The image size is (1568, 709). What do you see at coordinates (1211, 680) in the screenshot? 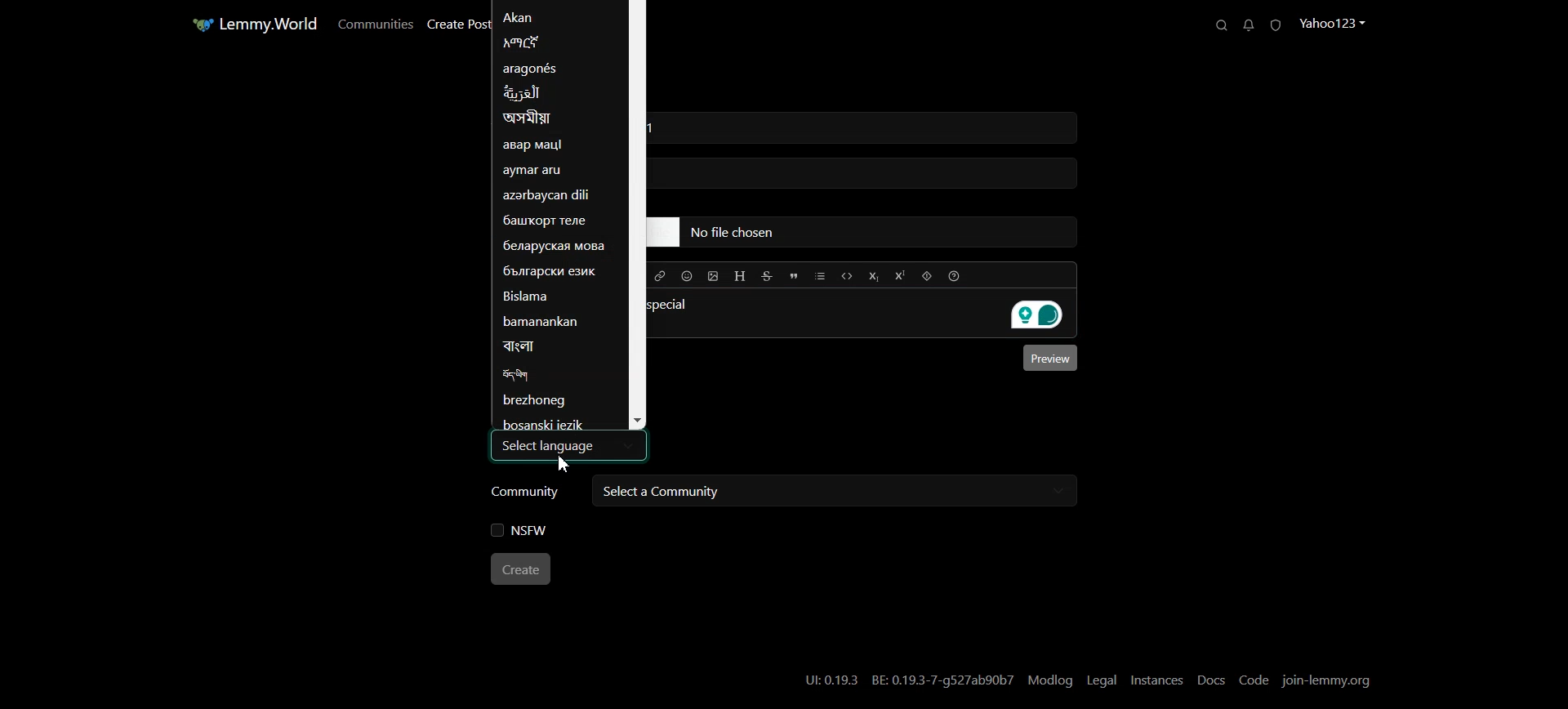
I see `Docs` at bounding box center [1211, 680].